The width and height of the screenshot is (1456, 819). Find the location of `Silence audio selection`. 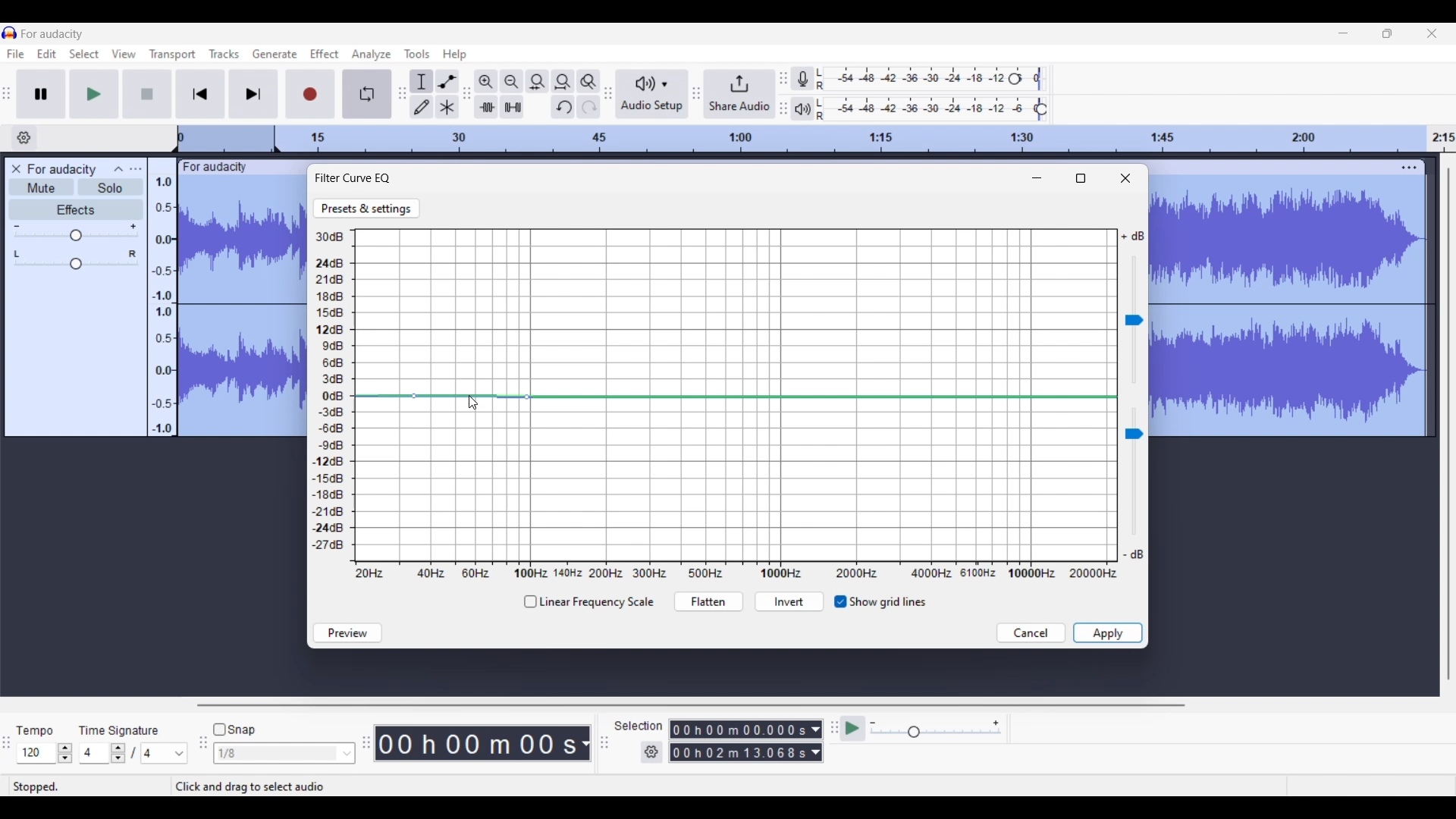

Silence audio selection is located at coordinates (512, 107).